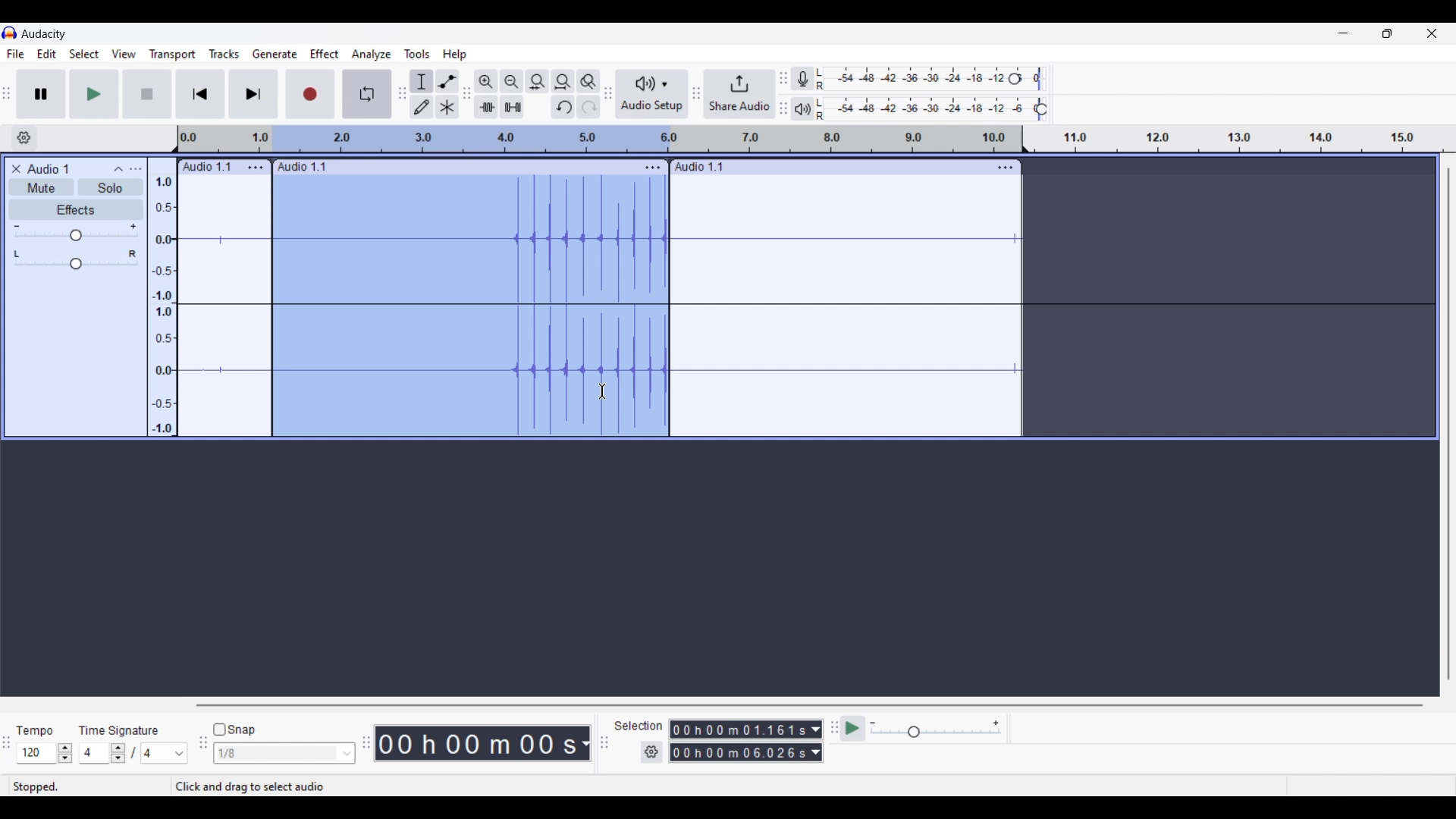 This screenshot has height=819, width=1456. Describe the element at coordinates (89, 786) in the screenshot. I see `Status of recording` at that location.